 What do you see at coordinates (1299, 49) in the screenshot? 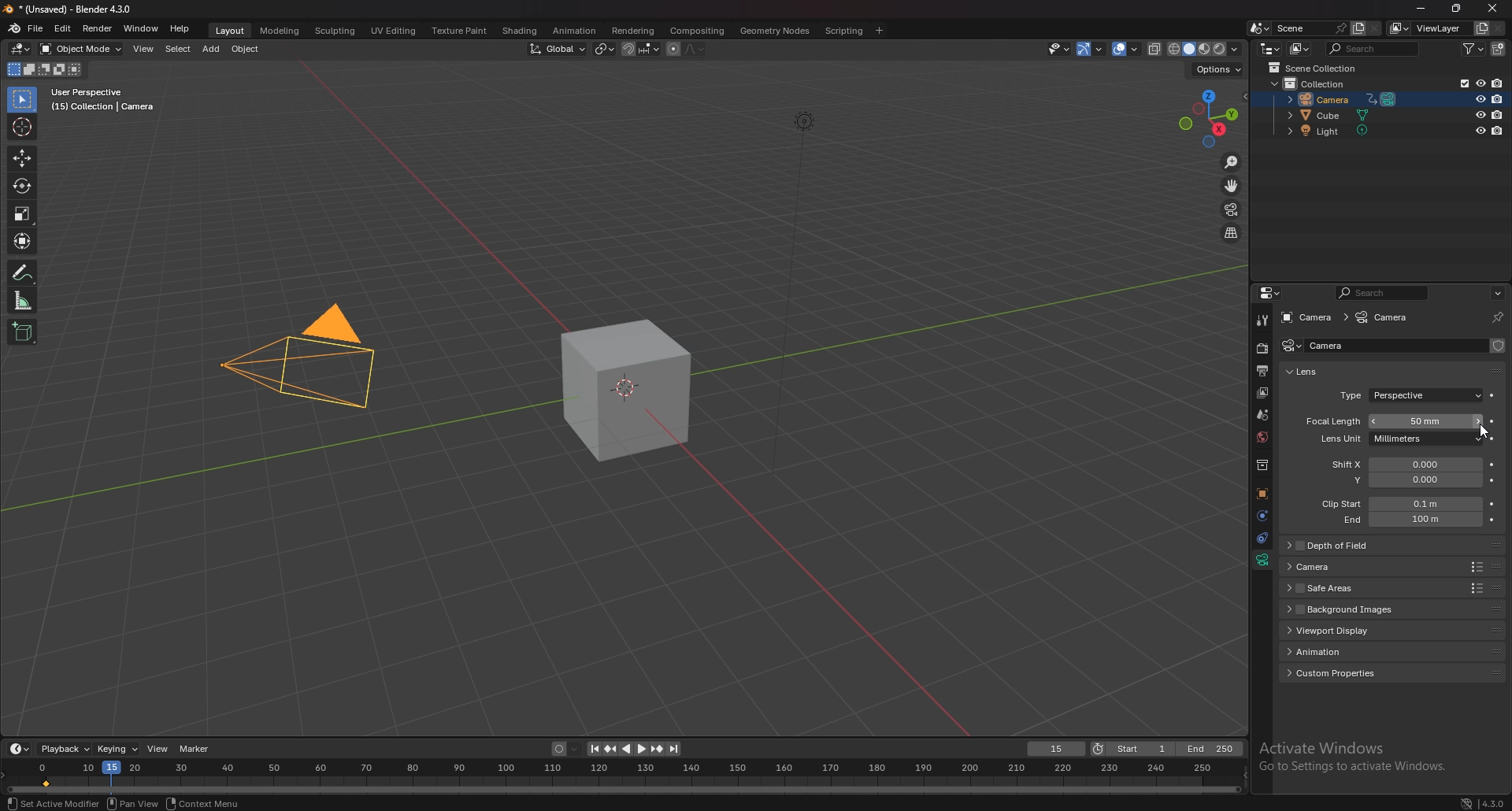
I see `display mode` at bounding box center [1299, 49].